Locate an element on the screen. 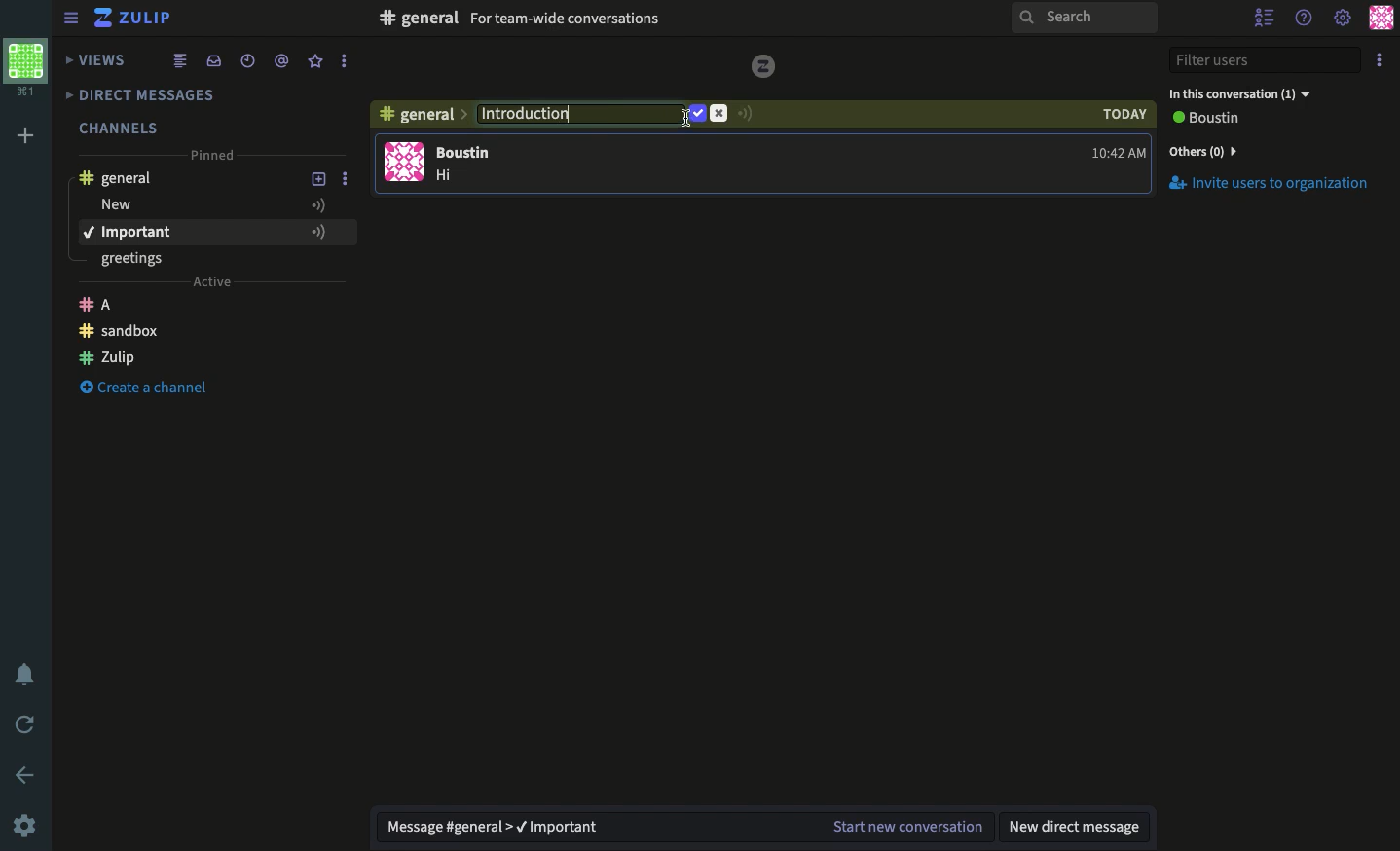 The height and width of the screenshot is (851, 1400). Add is located at coordinates (319, 179).